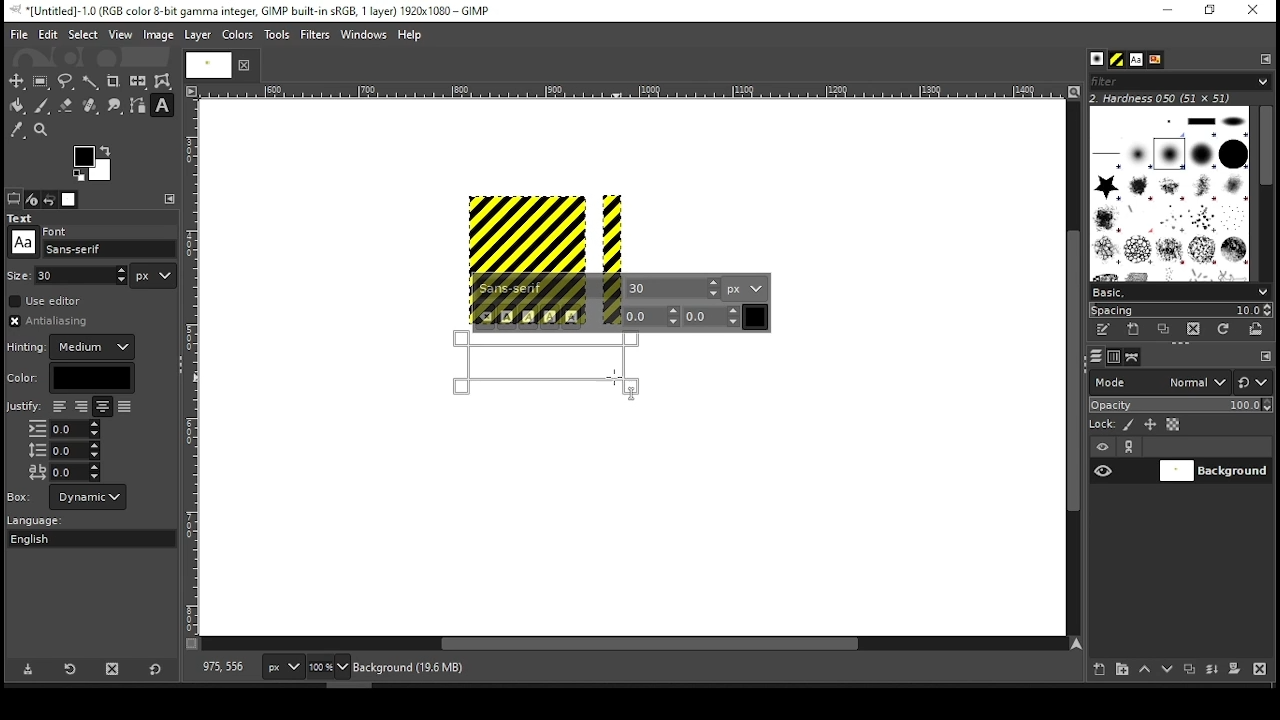  What do you see at coordinates (1097, 60) in the screenshot?
I see `brushes` at bounding box center [1097, 60].